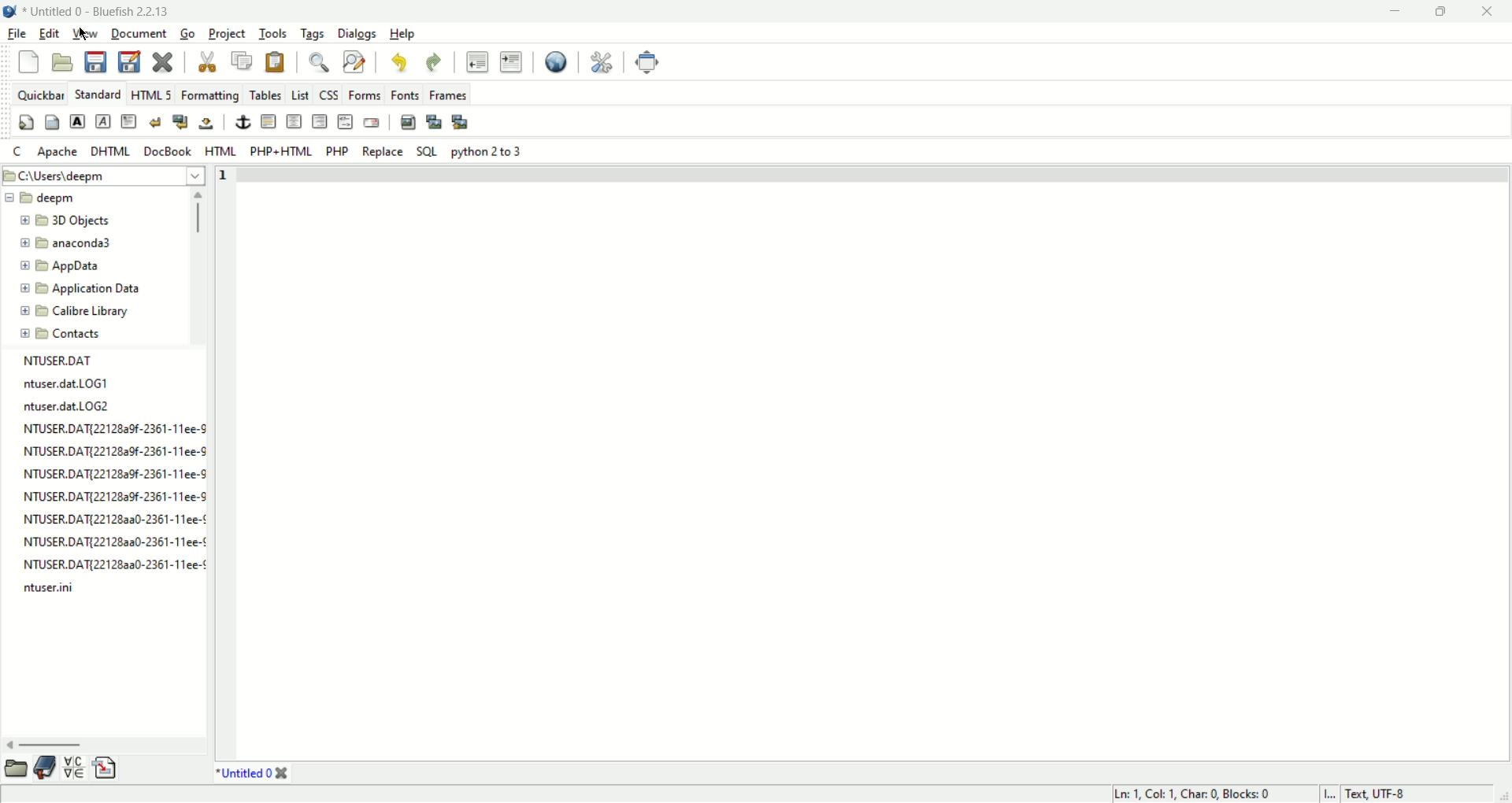  Describe the element at coordinates (512, 61) in the screenshot. I see `indent` at that location.